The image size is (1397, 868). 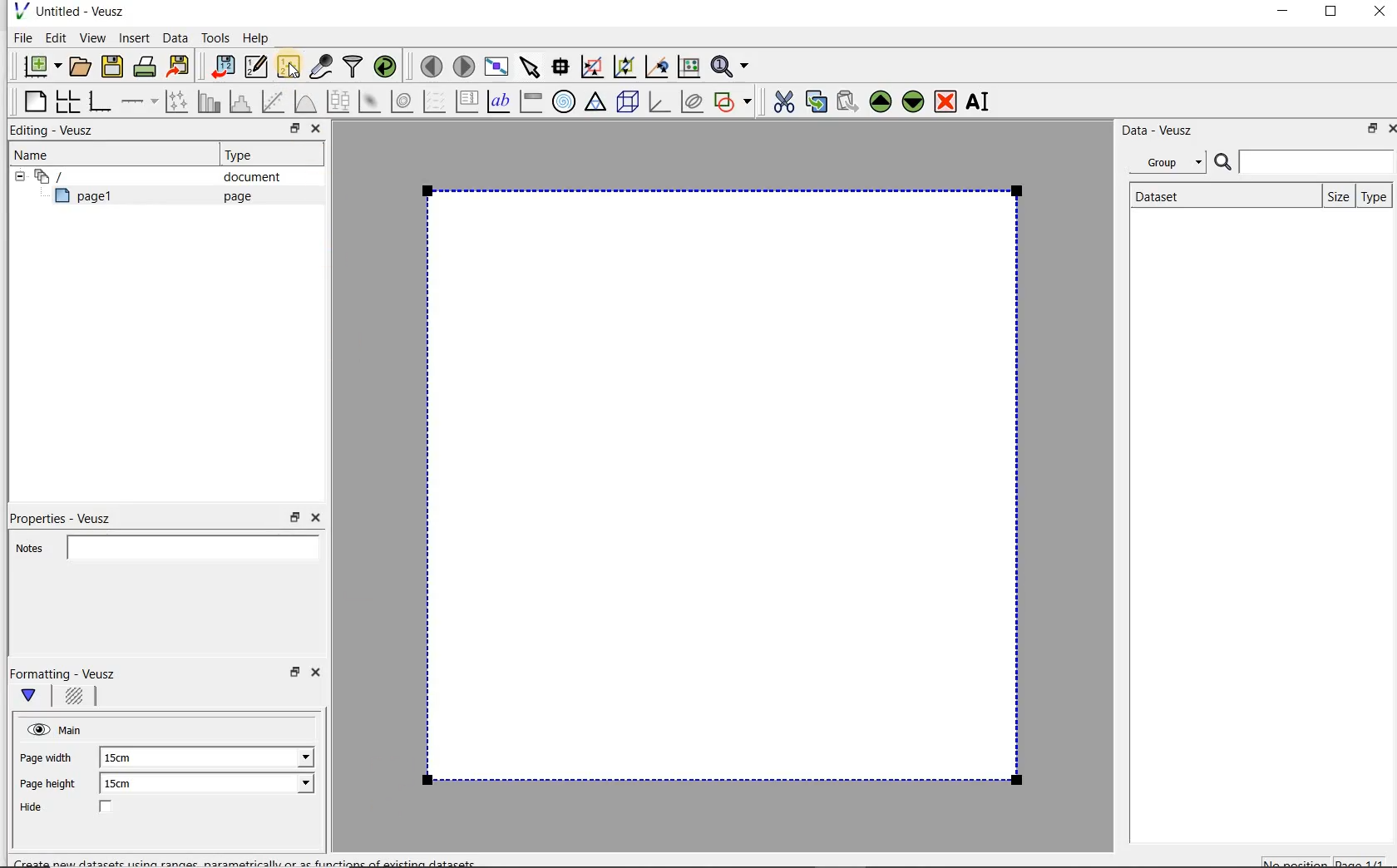 I want to click on polar graph, so click(x=565, y=101).